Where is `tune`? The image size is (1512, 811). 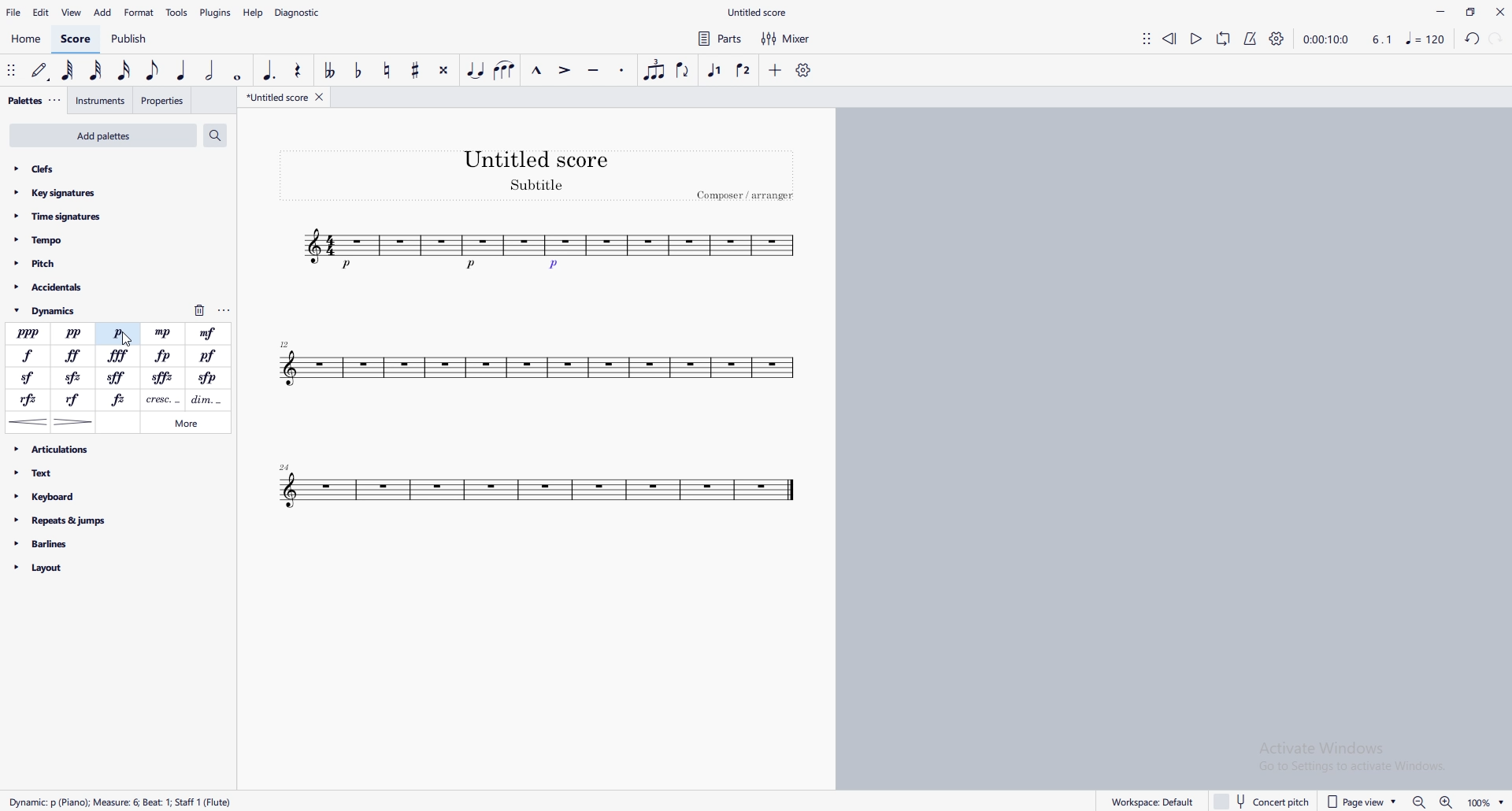 tune is located at coordinates (541, 490).